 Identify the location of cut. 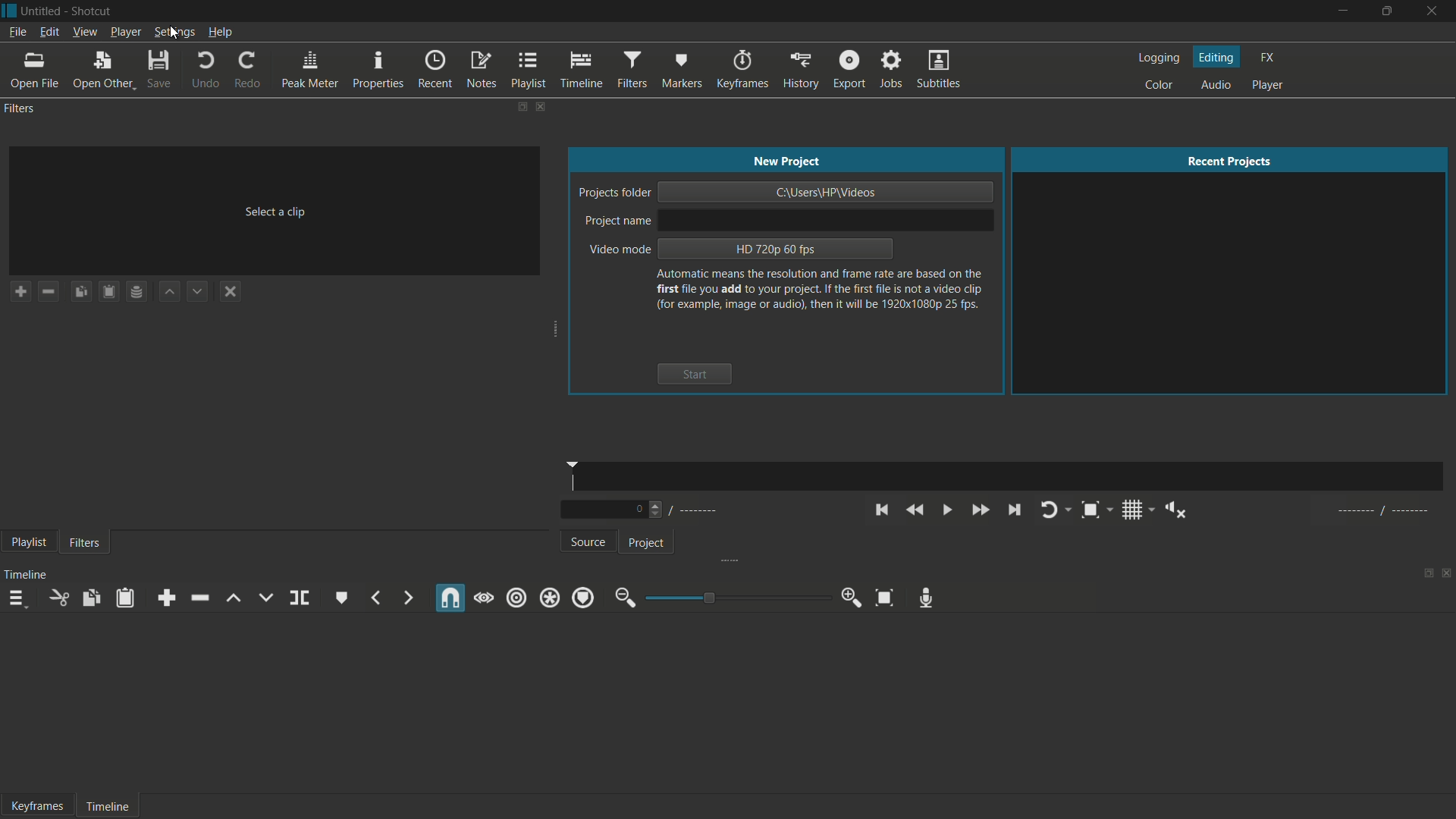
(58, 600).